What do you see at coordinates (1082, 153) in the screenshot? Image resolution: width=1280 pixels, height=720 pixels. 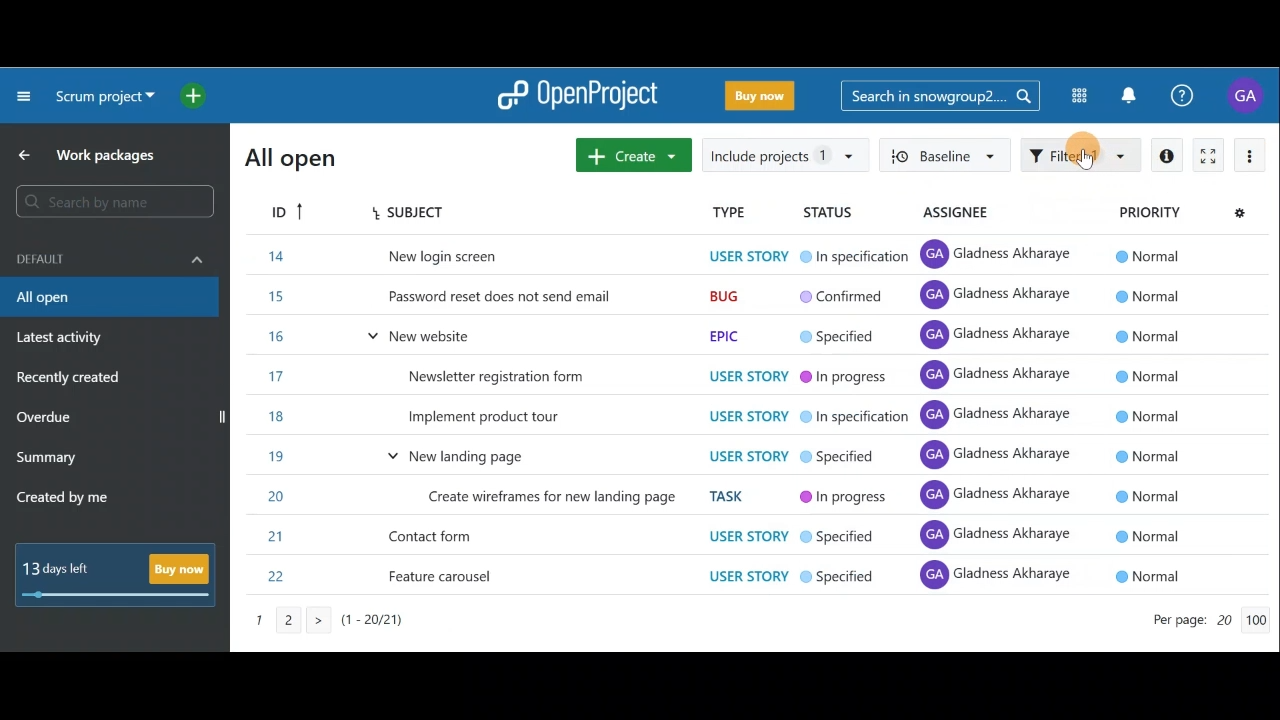 I see `Filter` at bounding box center [1082, 153].